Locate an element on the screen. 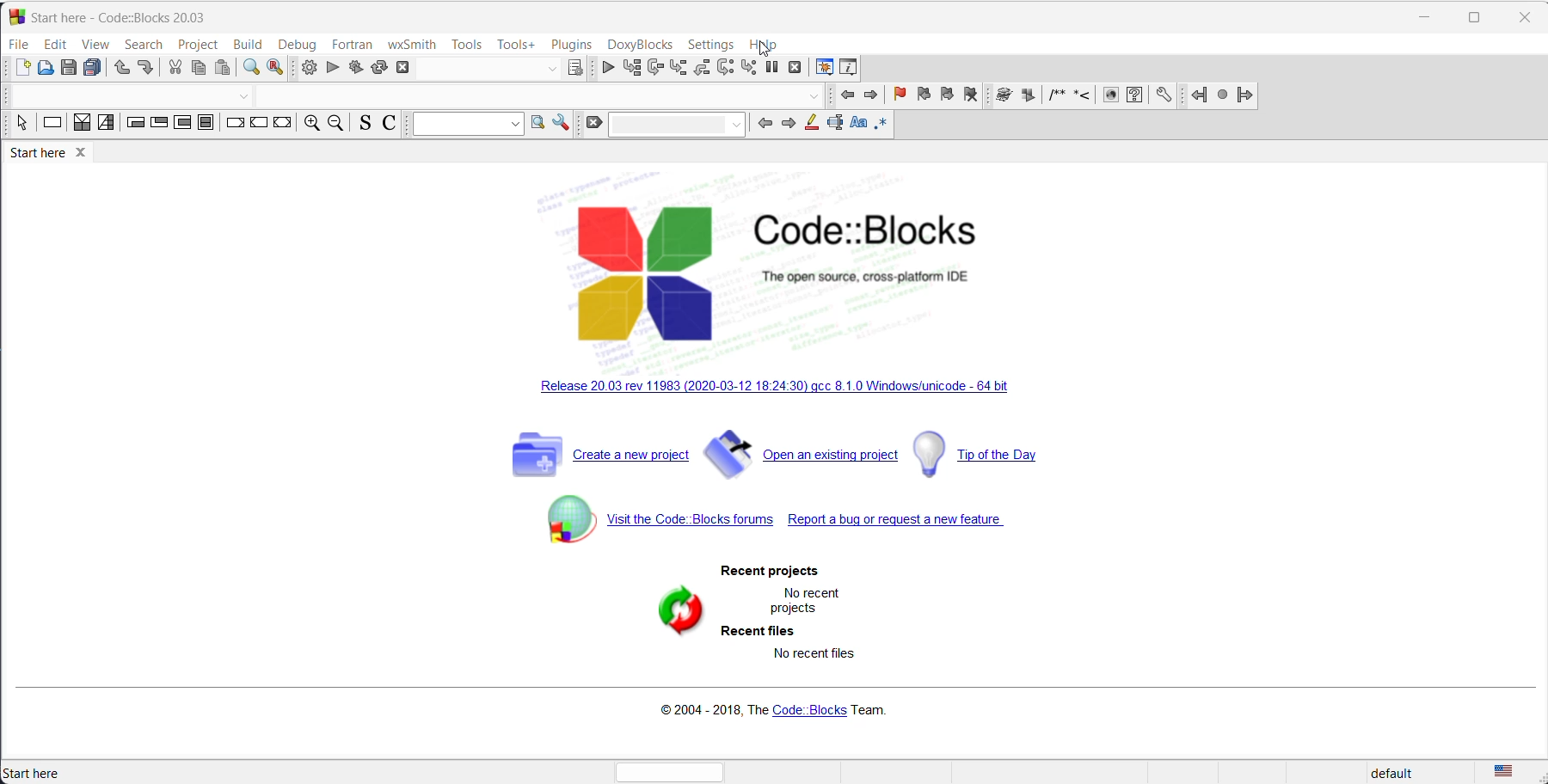 The height and width of the screenshot is (784, 1548). build is located at coordinates (249, 44).